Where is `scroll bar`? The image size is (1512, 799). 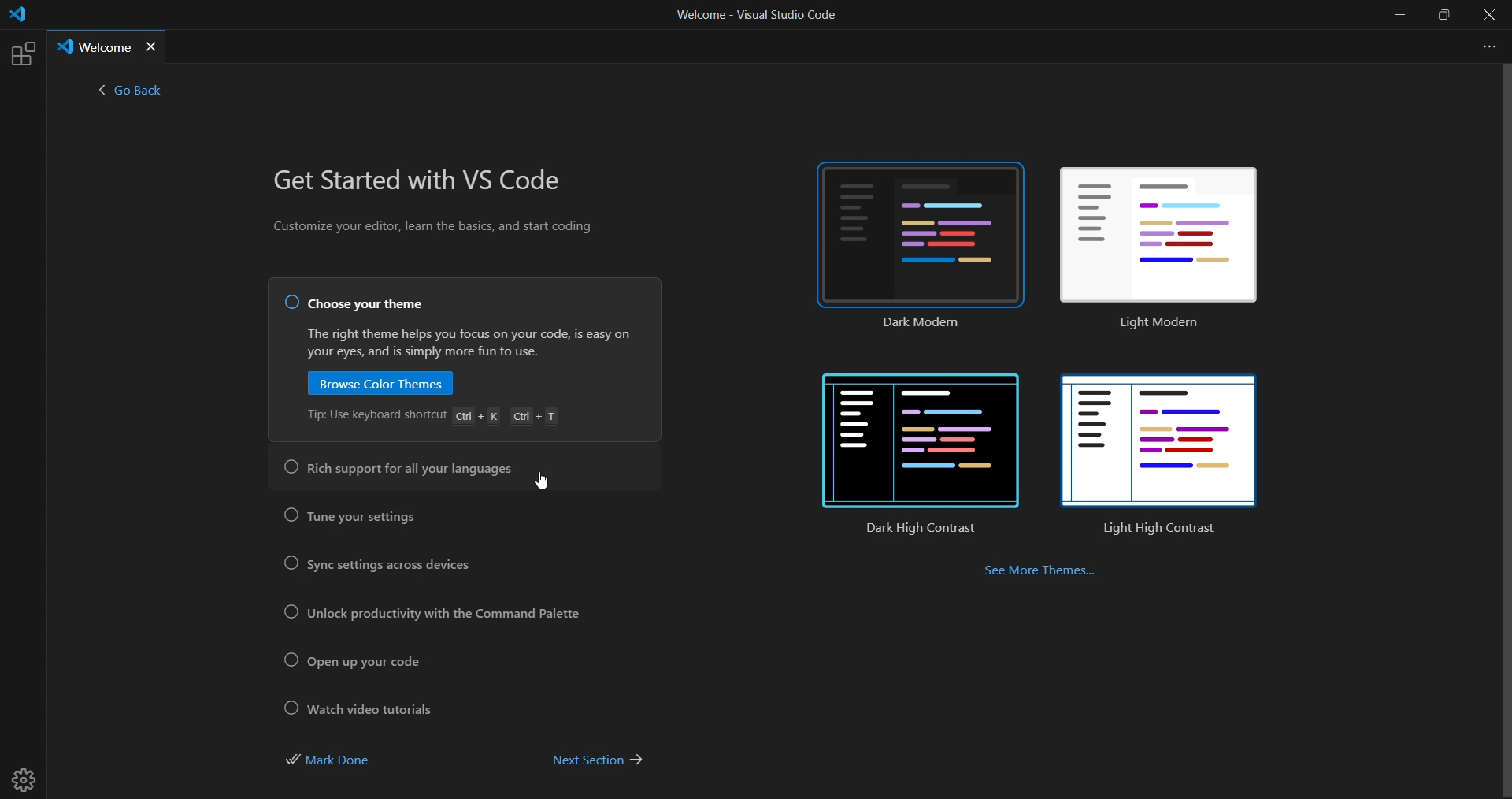
scroll bar is located at coordinates (1502, 427).